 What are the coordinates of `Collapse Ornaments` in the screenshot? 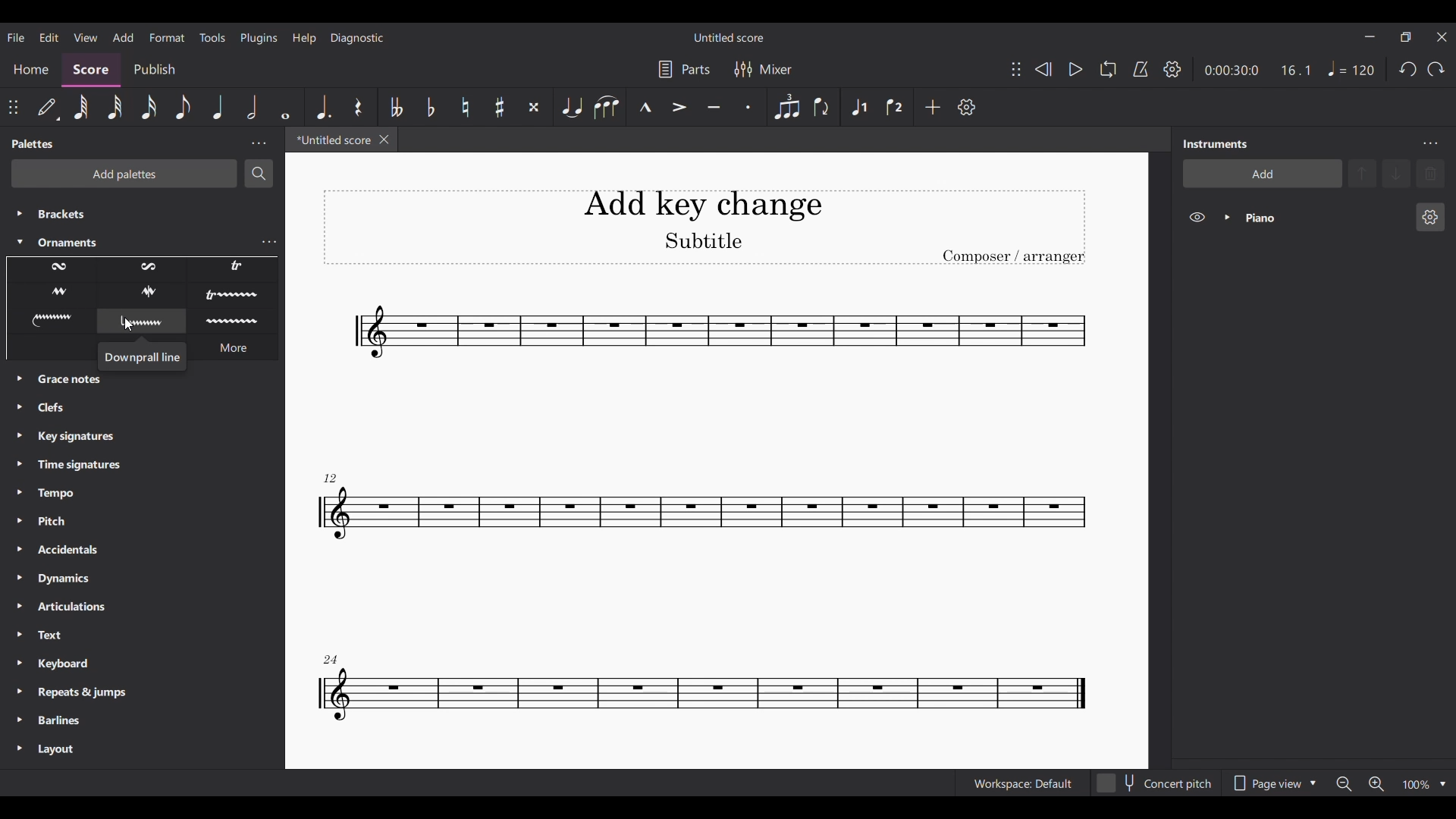 It's located at (20, 242).